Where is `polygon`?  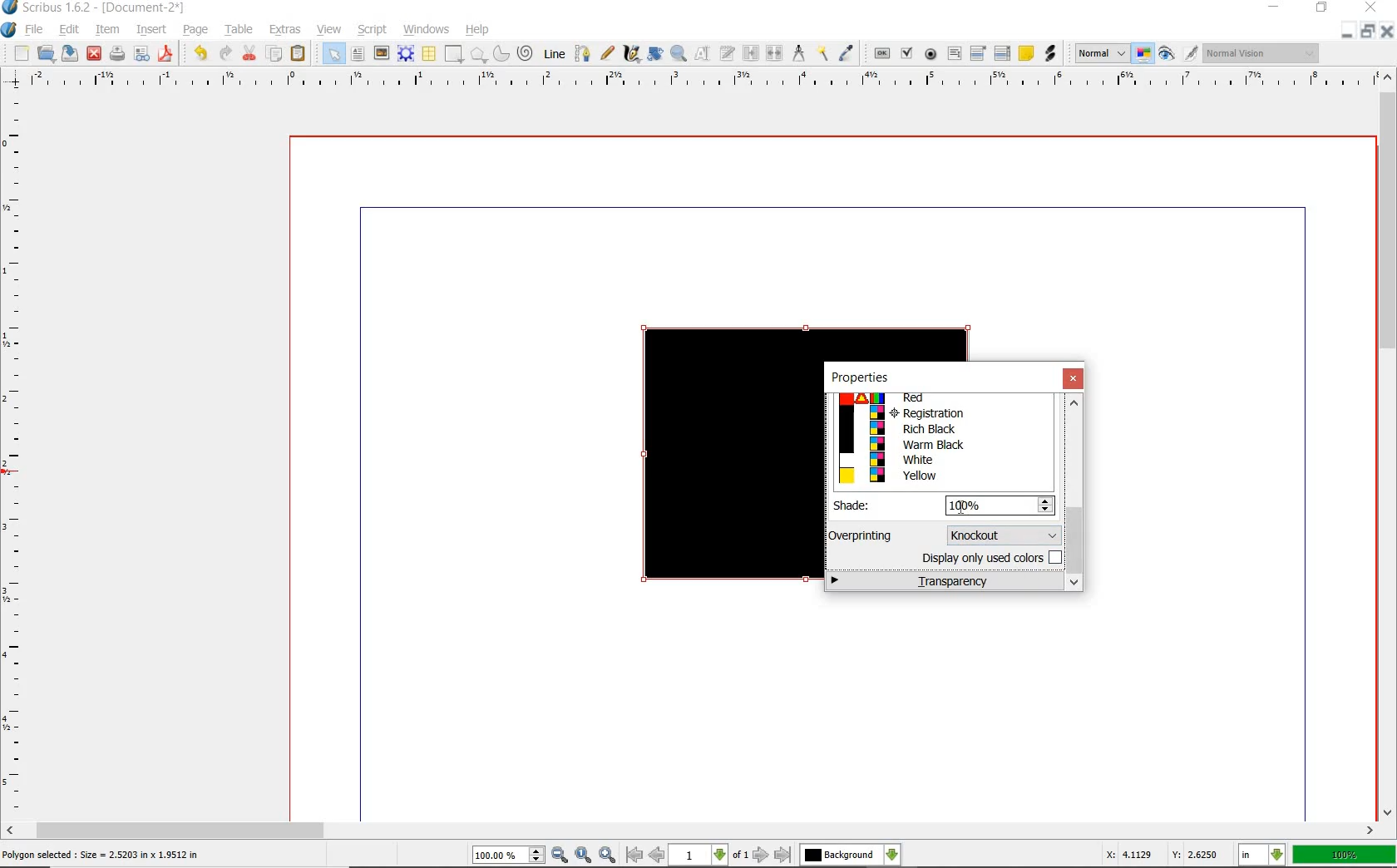 polygon is located at coordinates (478, 53).